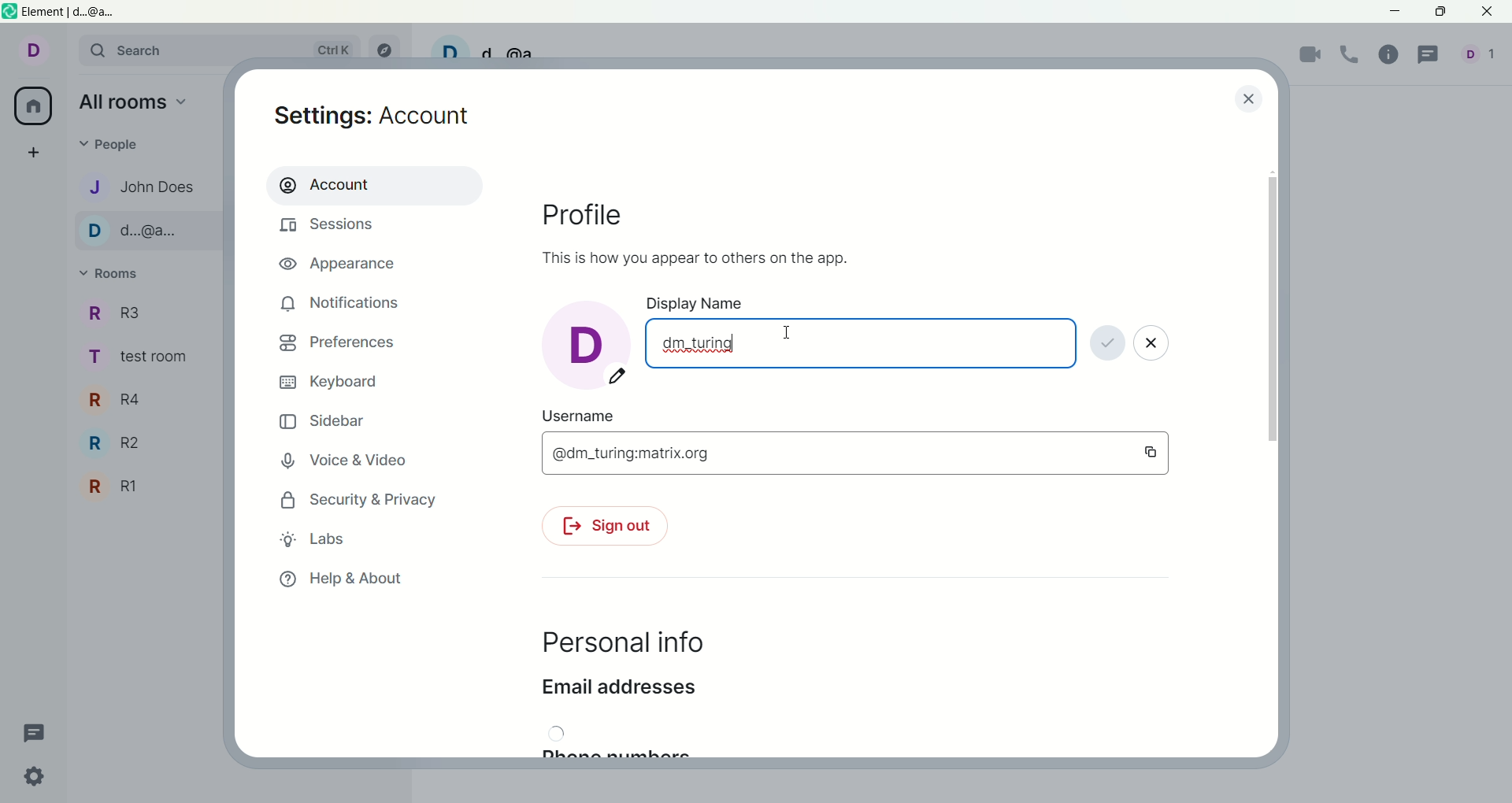 The height and width of the screenshot is (803, 1512). I want to click on all rooms, so click(135, 105).